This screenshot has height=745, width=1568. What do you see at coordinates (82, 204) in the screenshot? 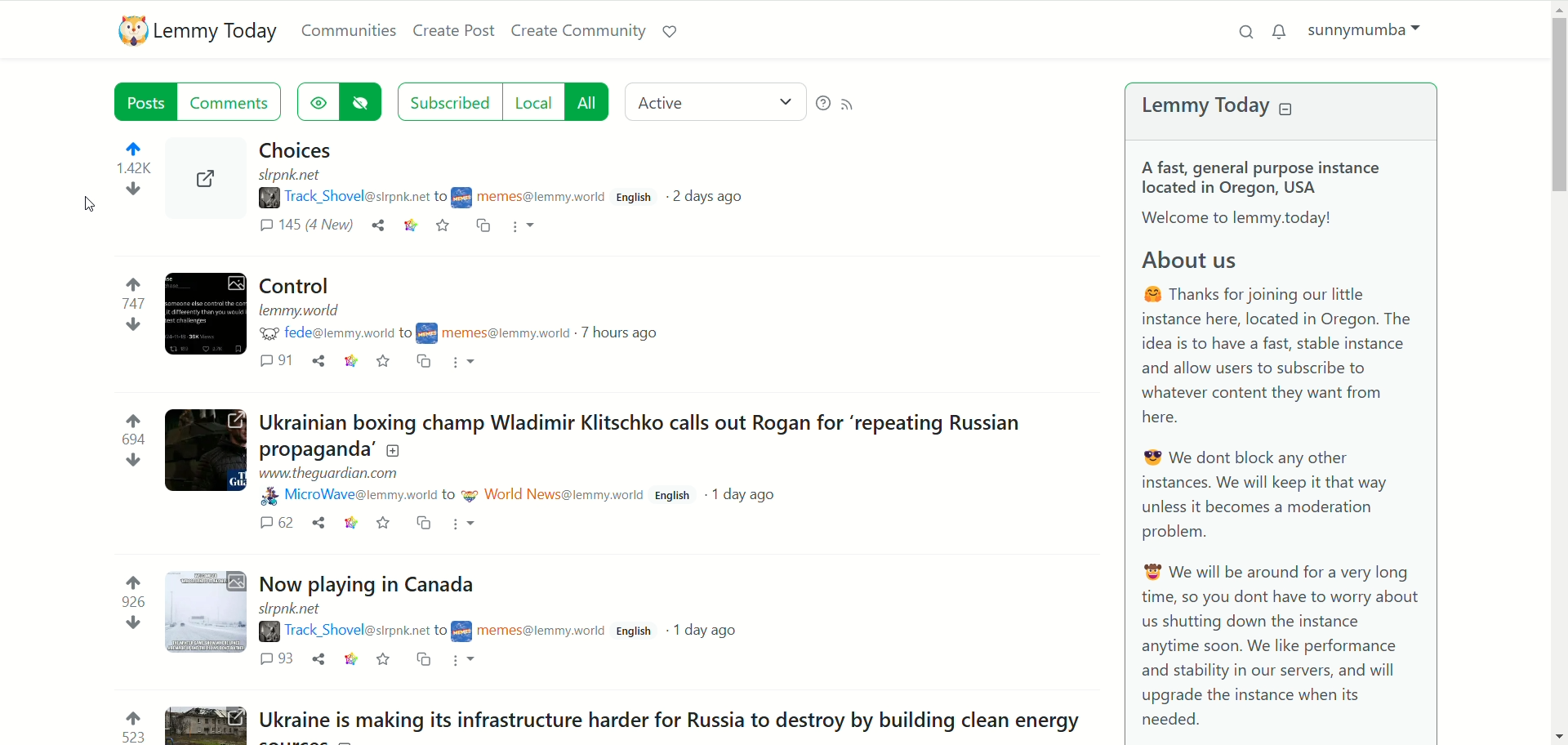
I see `cursor` at bounding box center [82, 204].